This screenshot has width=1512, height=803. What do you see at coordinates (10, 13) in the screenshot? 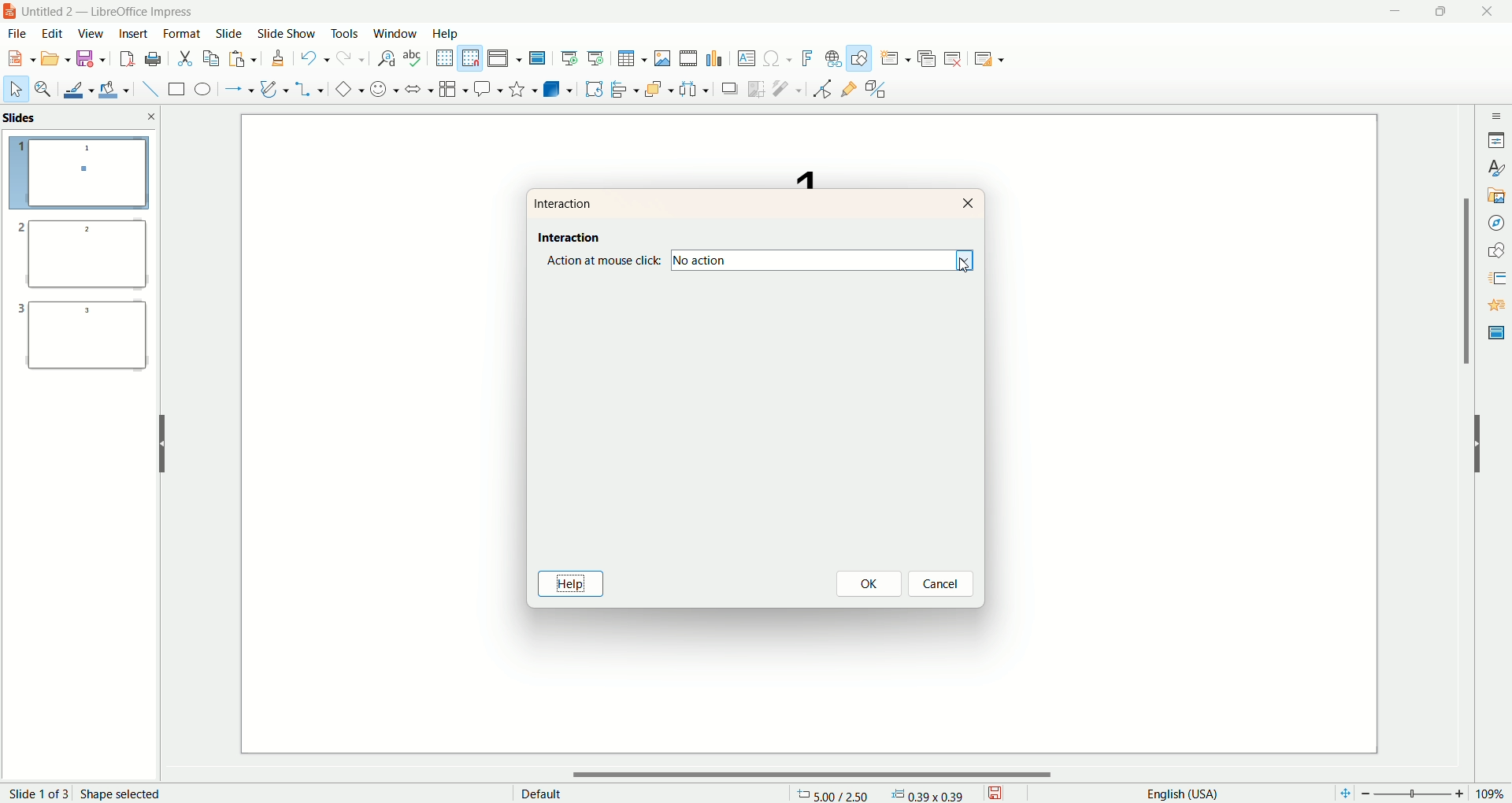
I see `logo` at bounding box center [10, 13].